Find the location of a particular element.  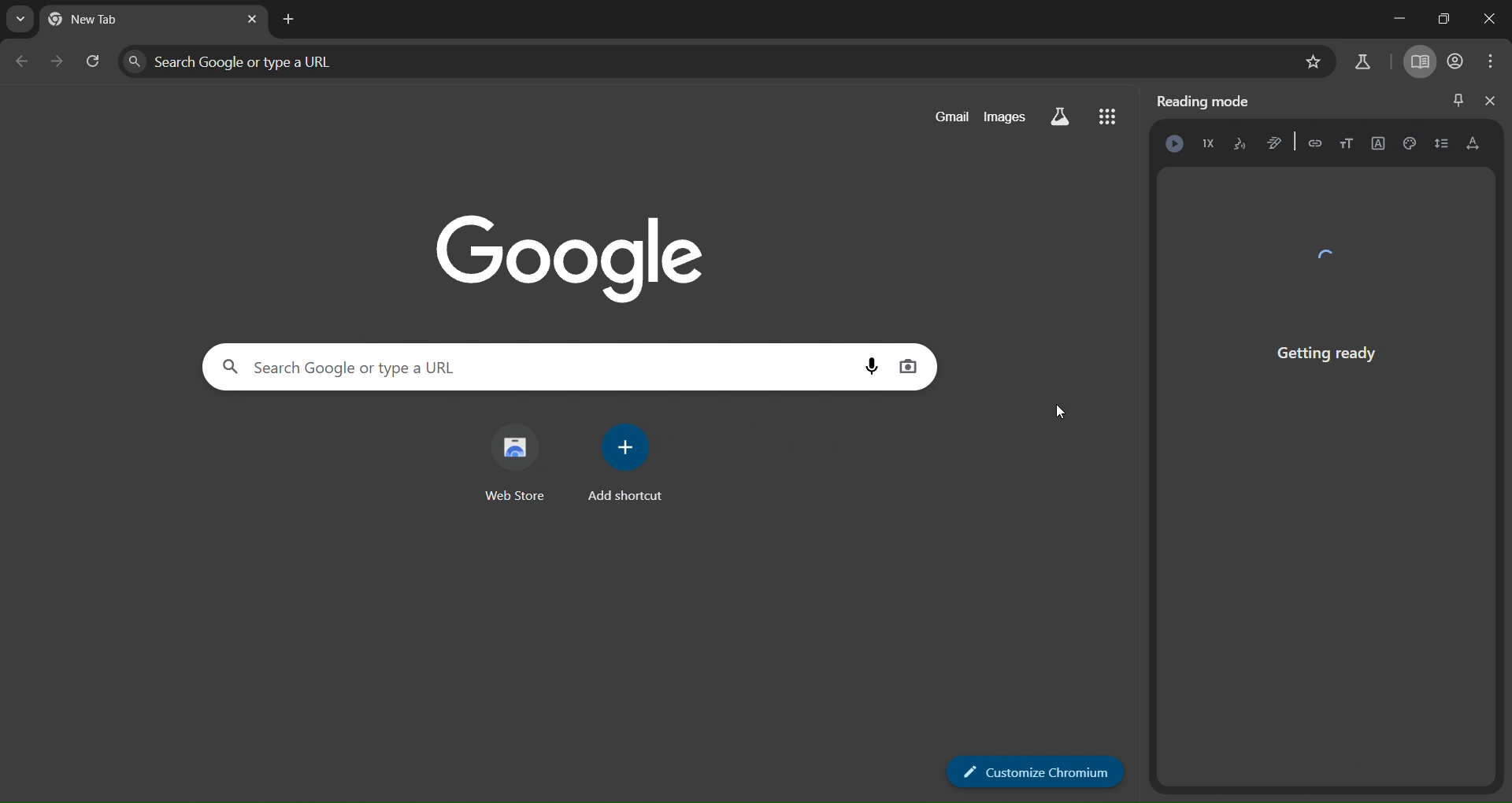

reload is located at coordinates (91, 59).